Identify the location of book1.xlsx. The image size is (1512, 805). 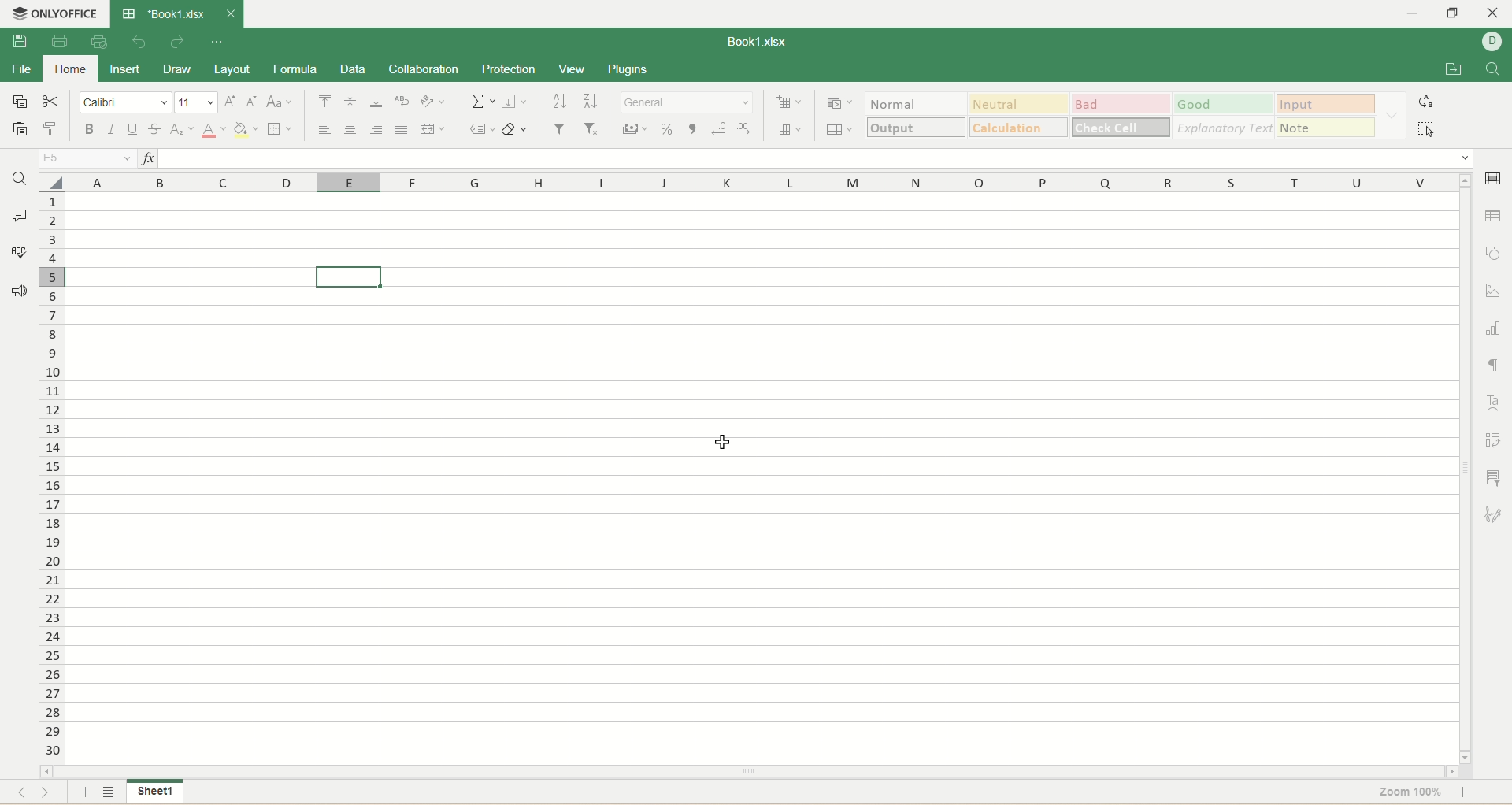
(161, 13).